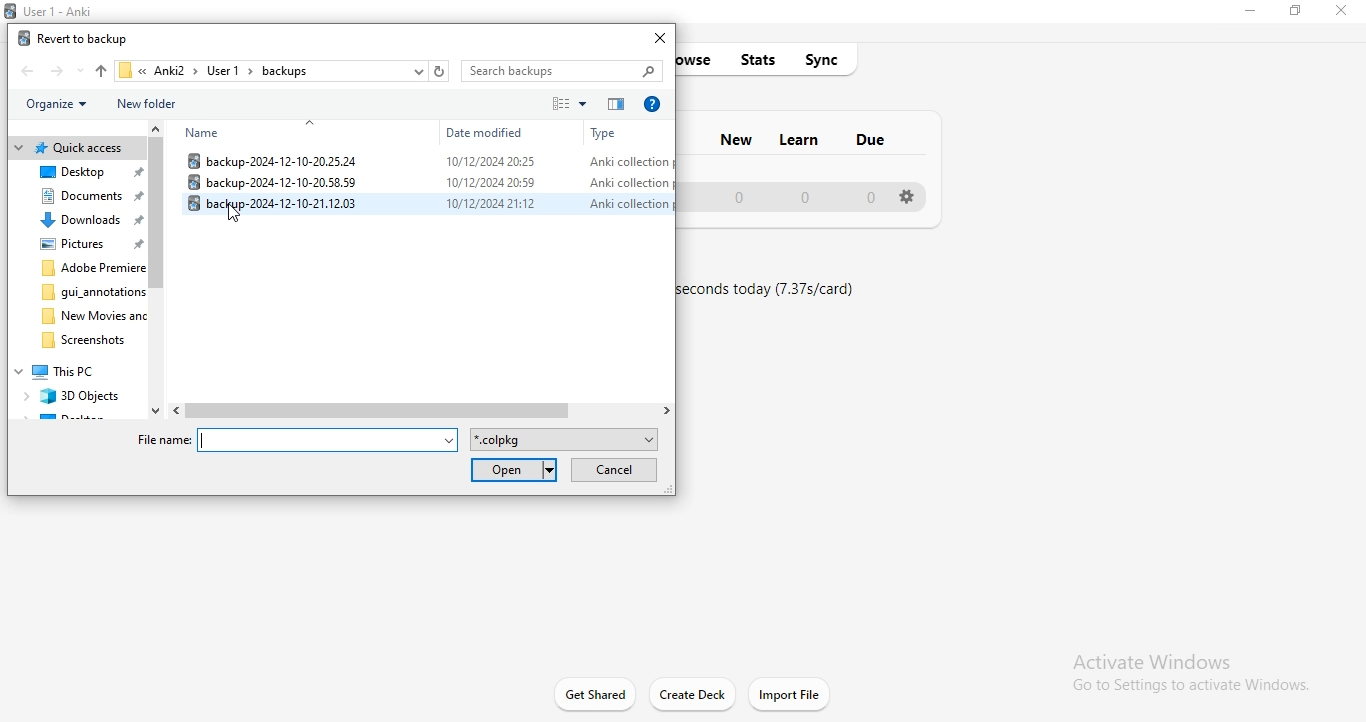  Describe the element at coordinates (28, 70) in the screenshot. I see `file back` at that location.